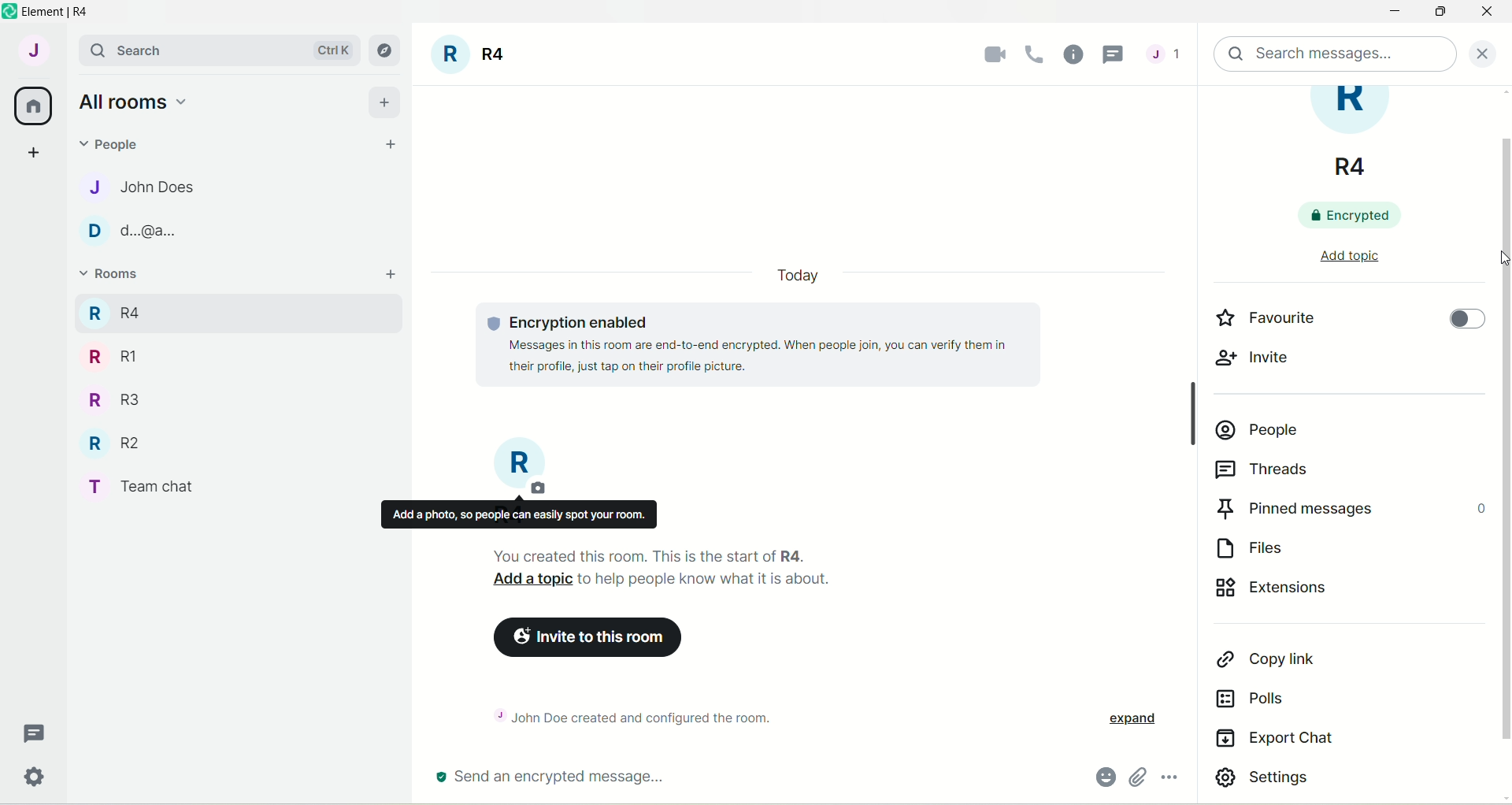 The width and height of the screenshot is (1512, 805). Describe the element at coordinates (1116, 55) in the screenshot. I see `cursor` at that location.